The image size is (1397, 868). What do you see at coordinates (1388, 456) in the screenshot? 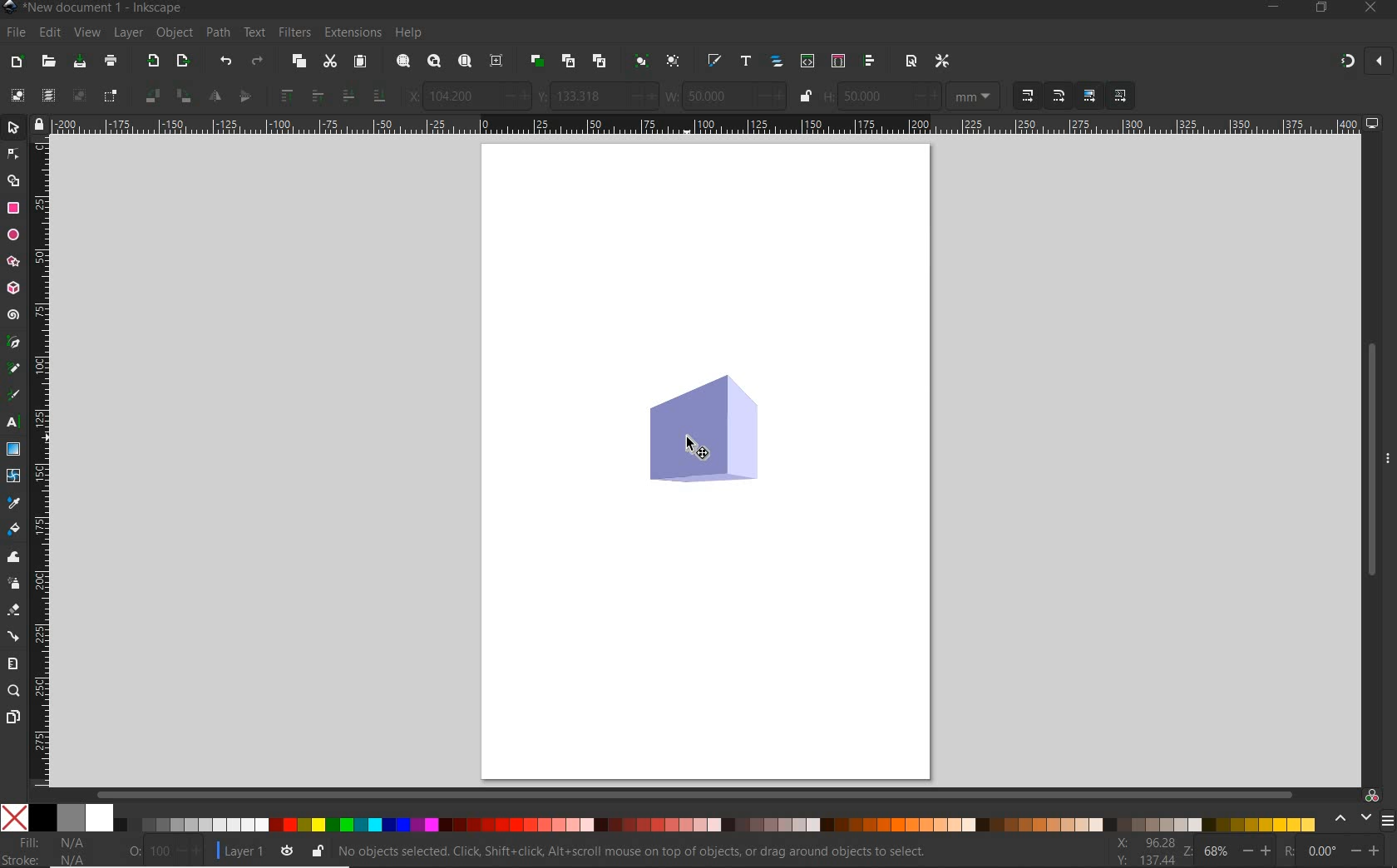
I see `more options` at bounding box center [1388, 456].